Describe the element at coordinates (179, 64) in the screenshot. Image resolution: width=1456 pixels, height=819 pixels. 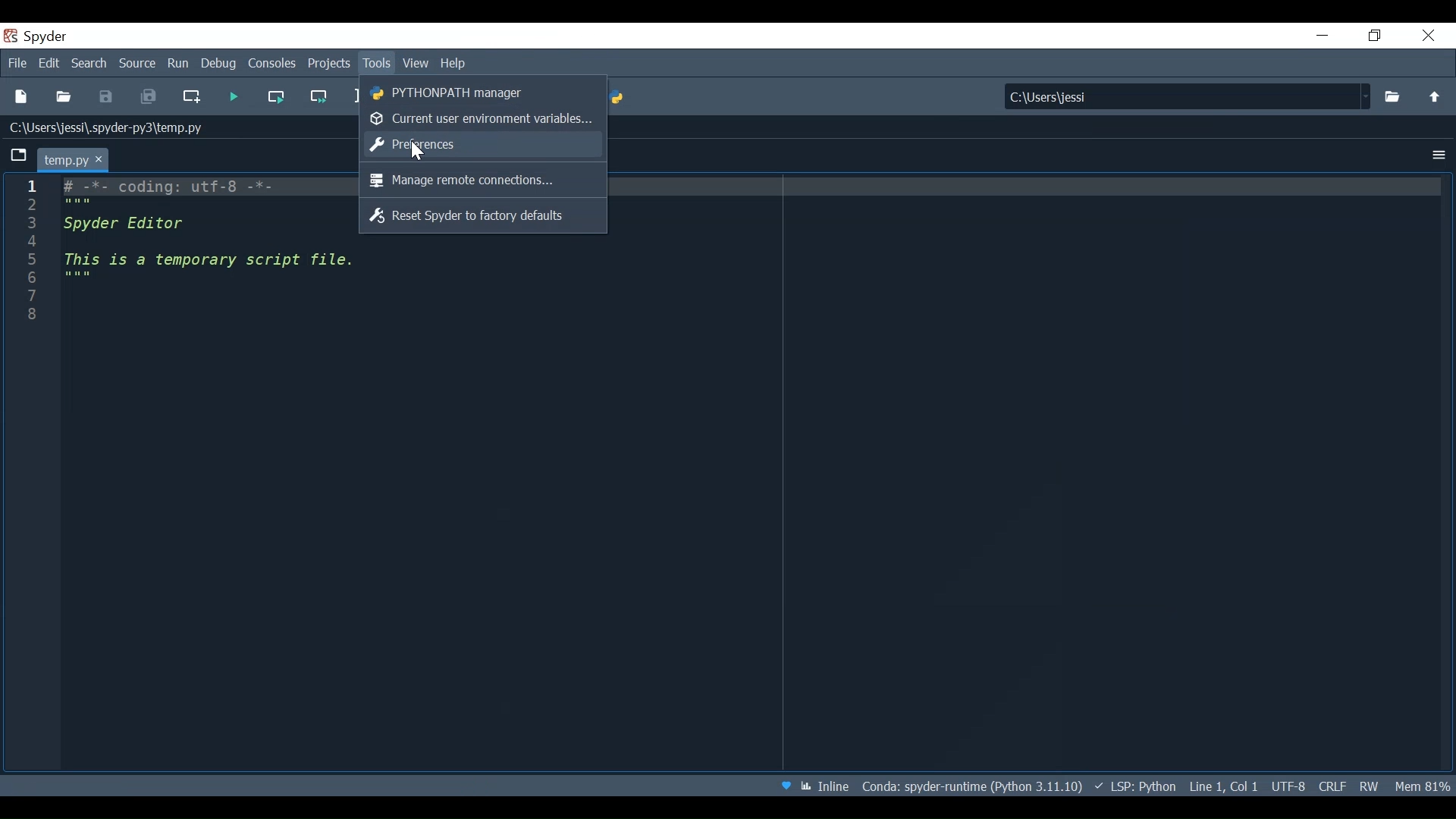
I see `Run` at that location.